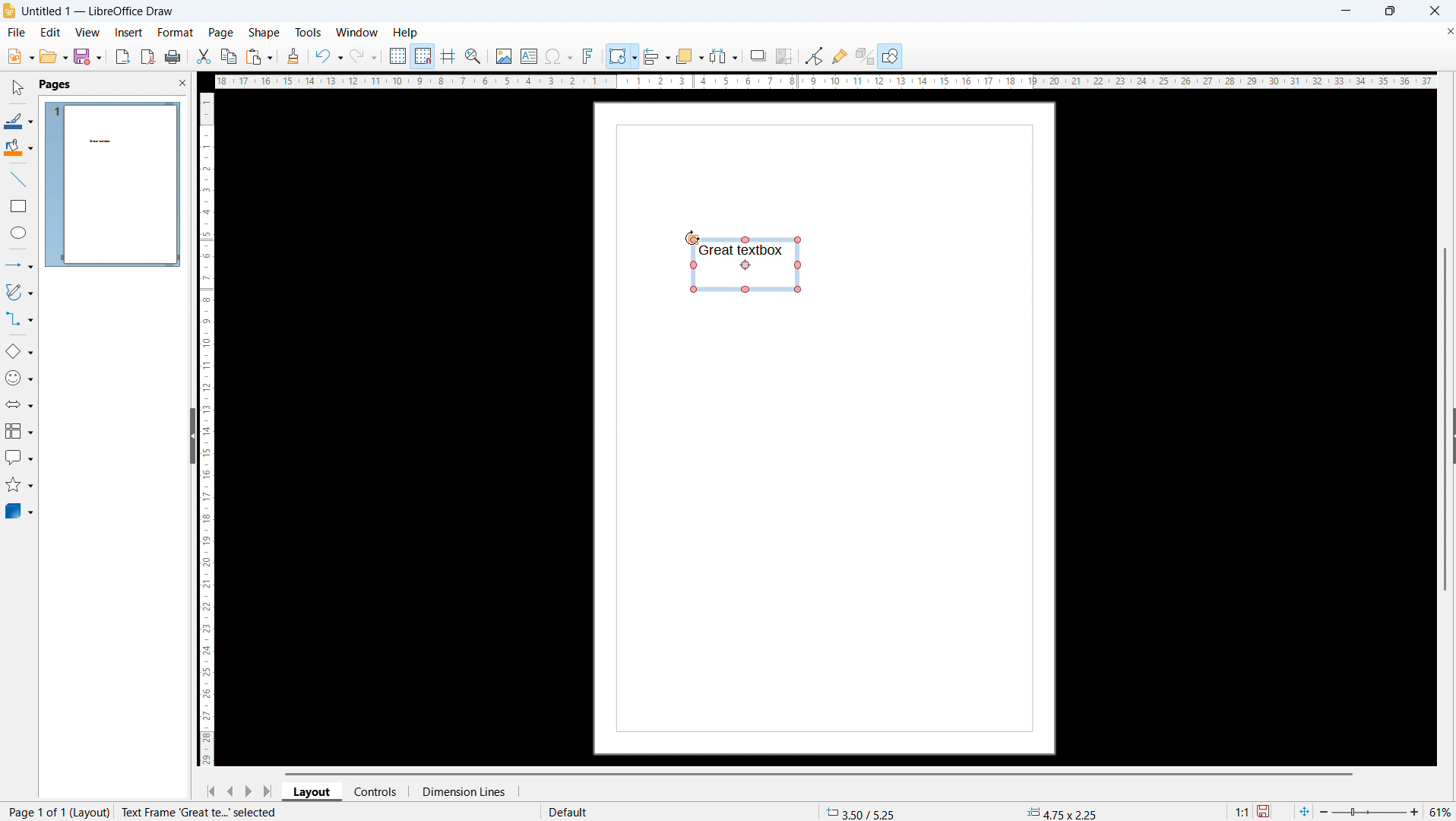 The image size is (1456, 821). I want to click on horizontal scroll bar , so click(818, 773).